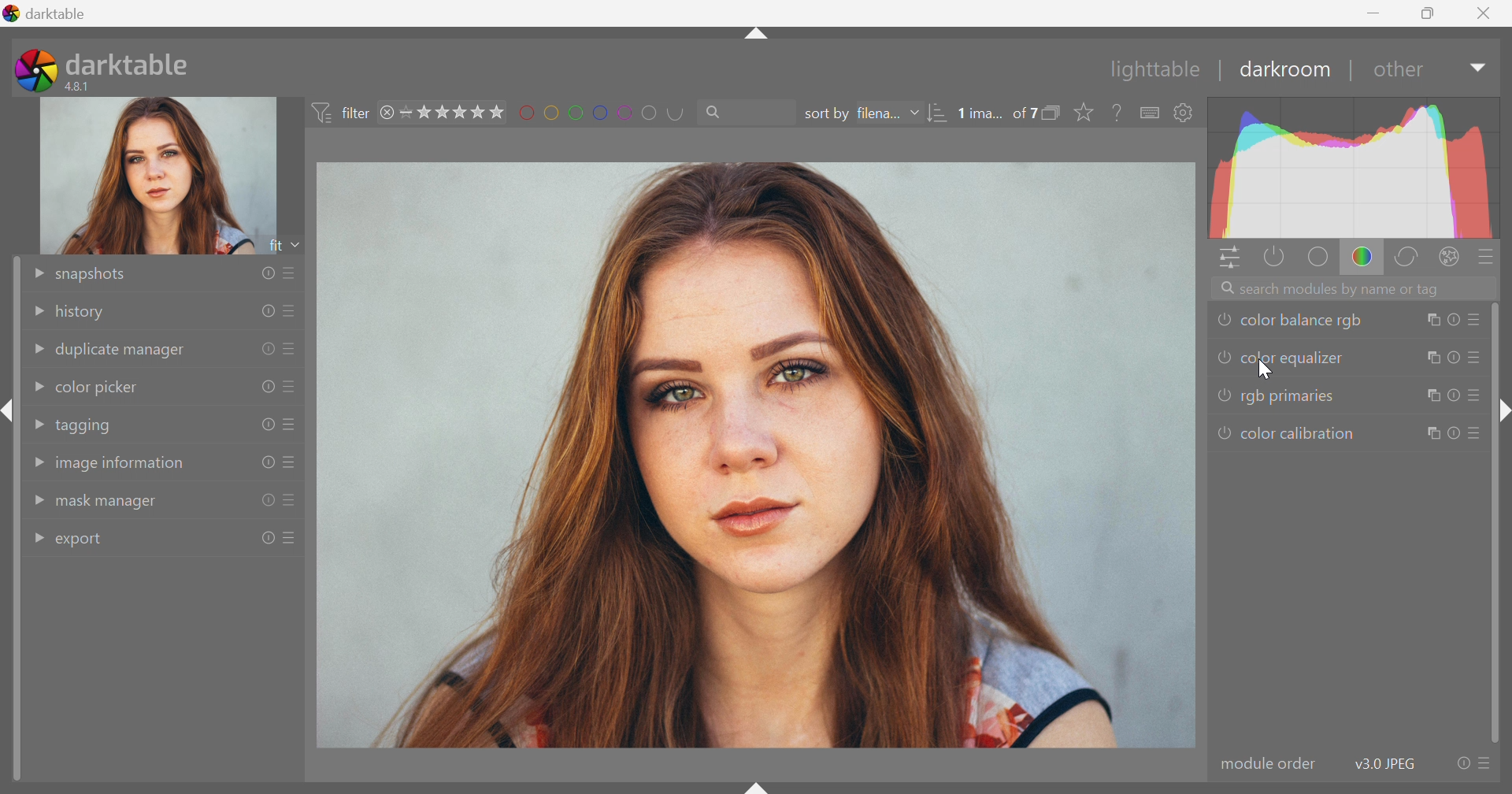 This screenshot has height=794, width=1512. I want to click on darkroom, so click(1286, 69).